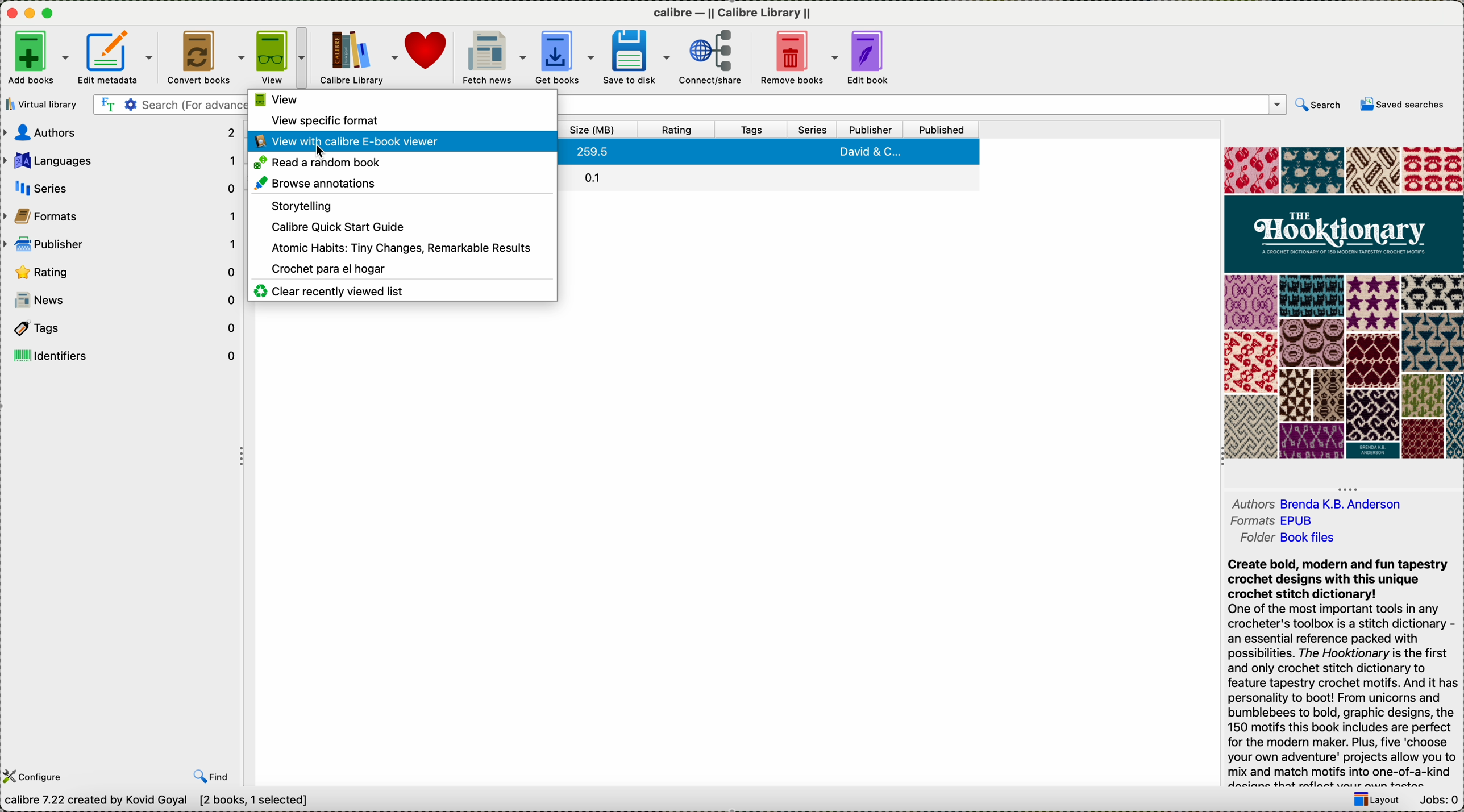  I want to click on view specific format, so click(322, 119).